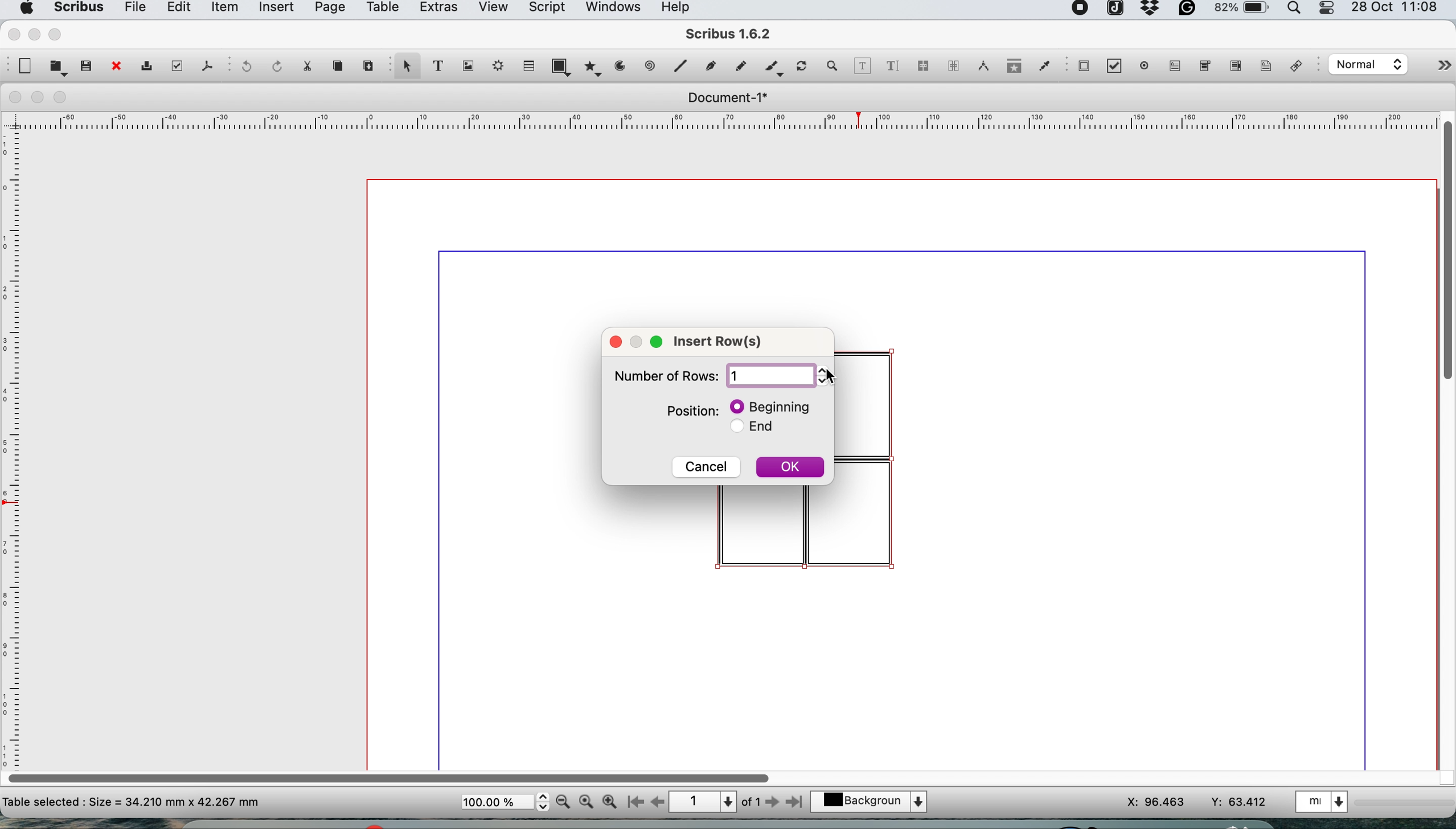  Describe the element at coordinates (727, 98) in the screenshot. I see `document 1` at that location.